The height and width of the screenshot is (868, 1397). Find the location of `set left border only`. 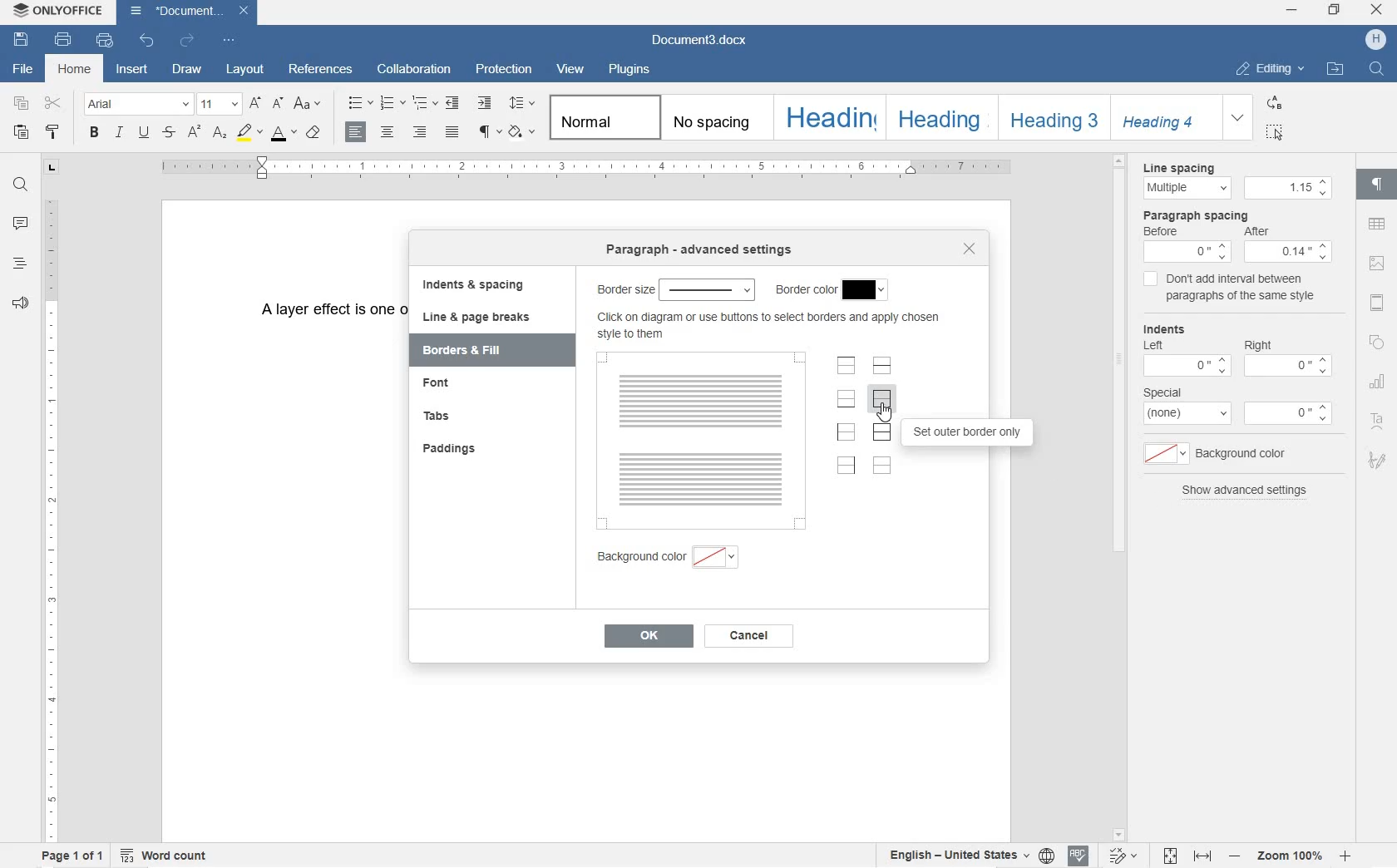

set left border only is located at coordinates (847, 433).